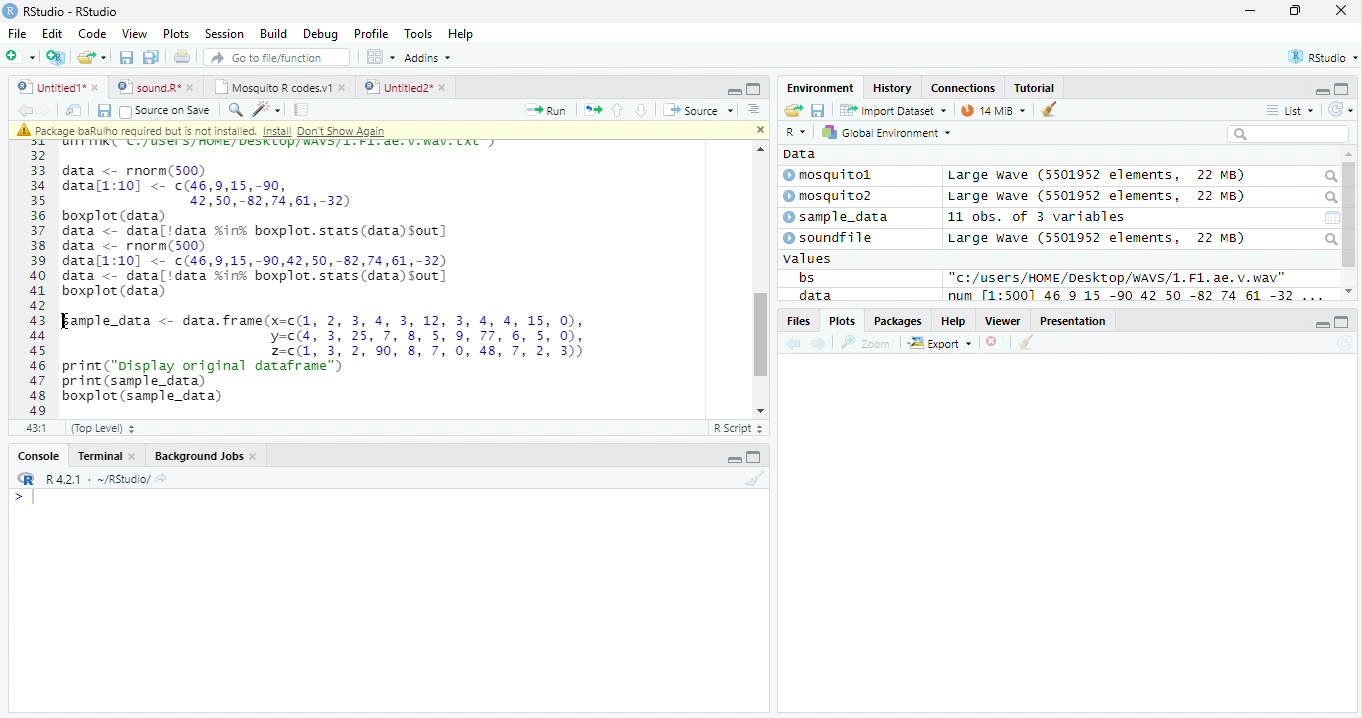  Describe the element at coordinates (1329, 177) in the screenshot. I see `search` at that location.